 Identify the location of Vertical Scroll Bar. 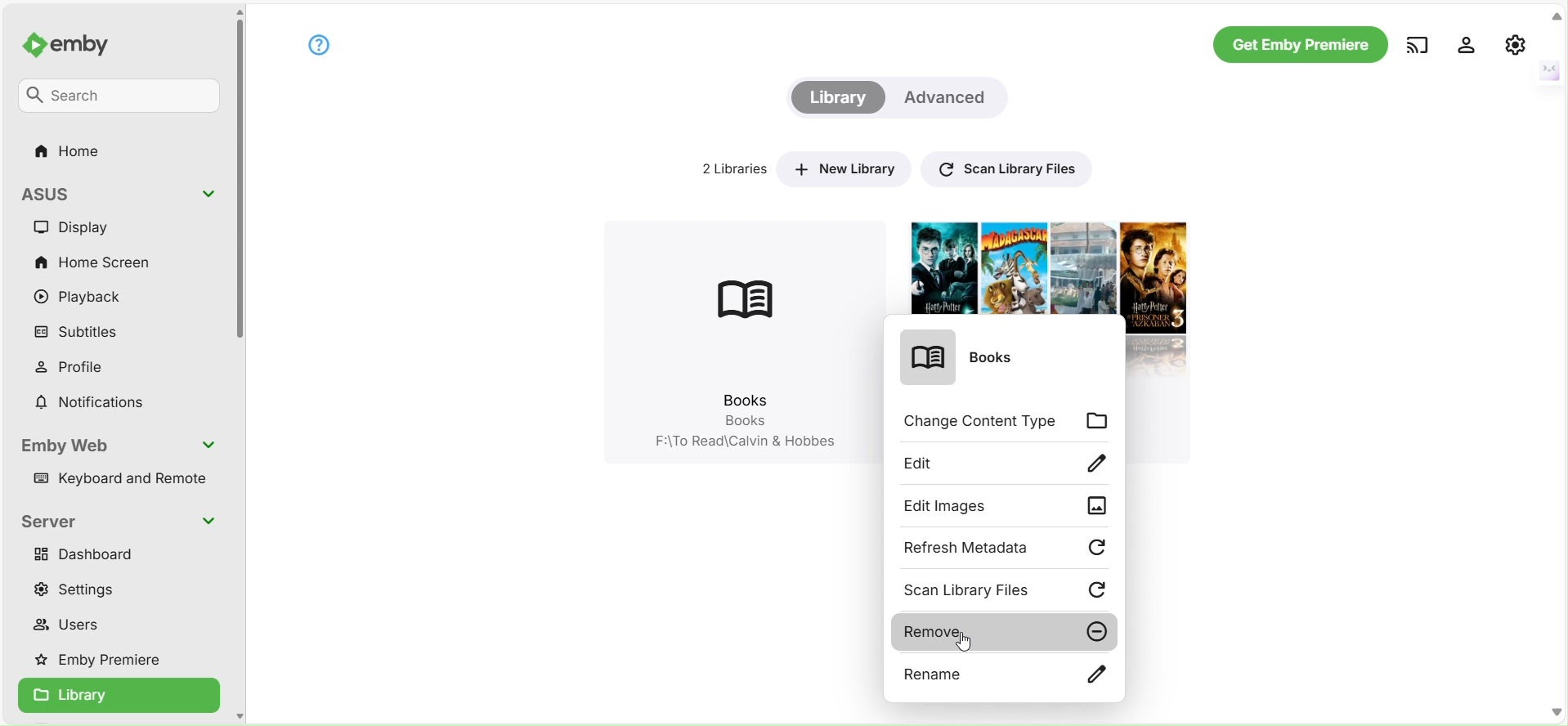
(240, 184).